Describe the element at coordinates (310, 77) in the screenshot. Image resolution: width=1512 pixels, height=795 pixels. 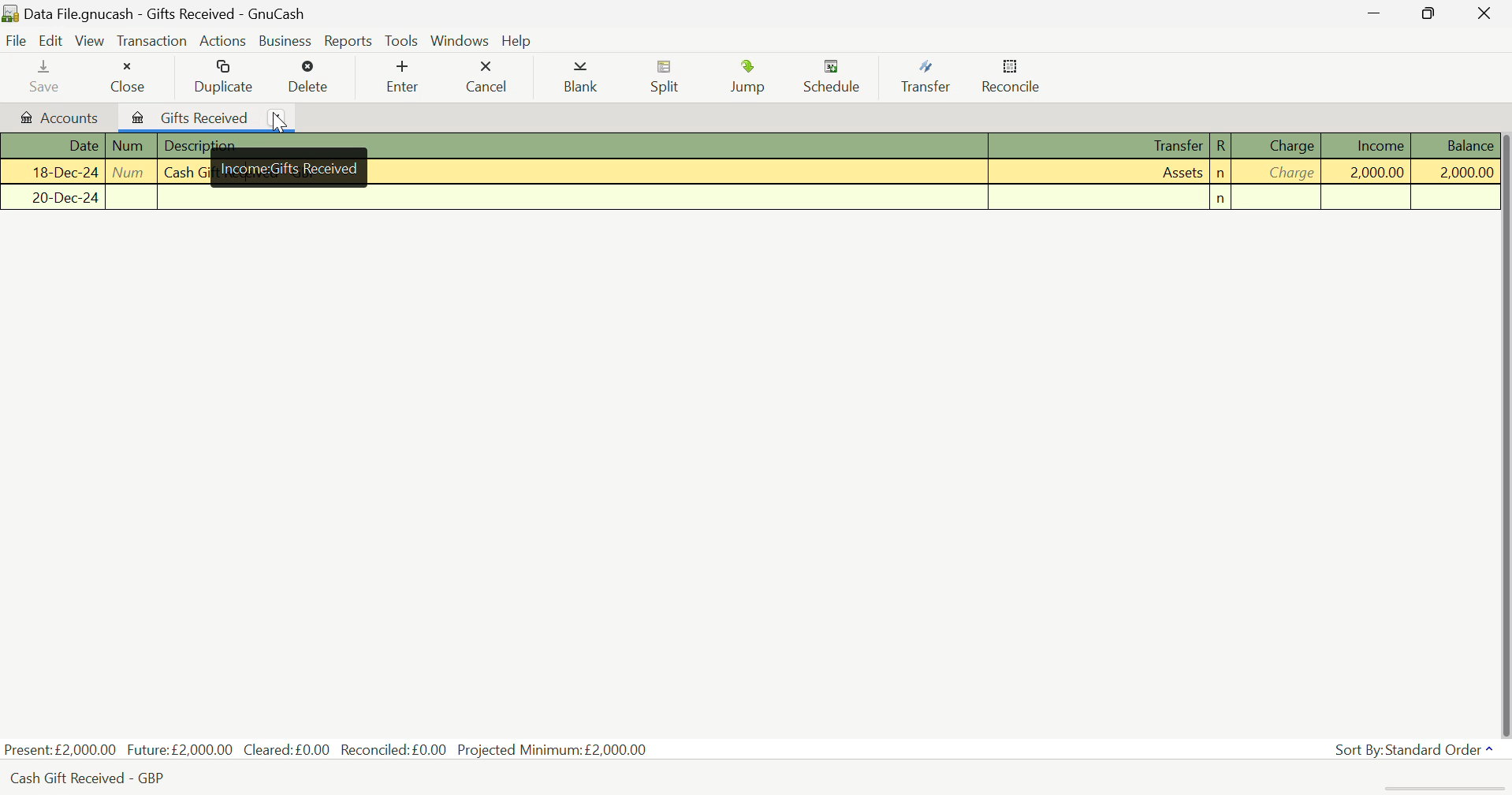
I see `Delete ` at that location.